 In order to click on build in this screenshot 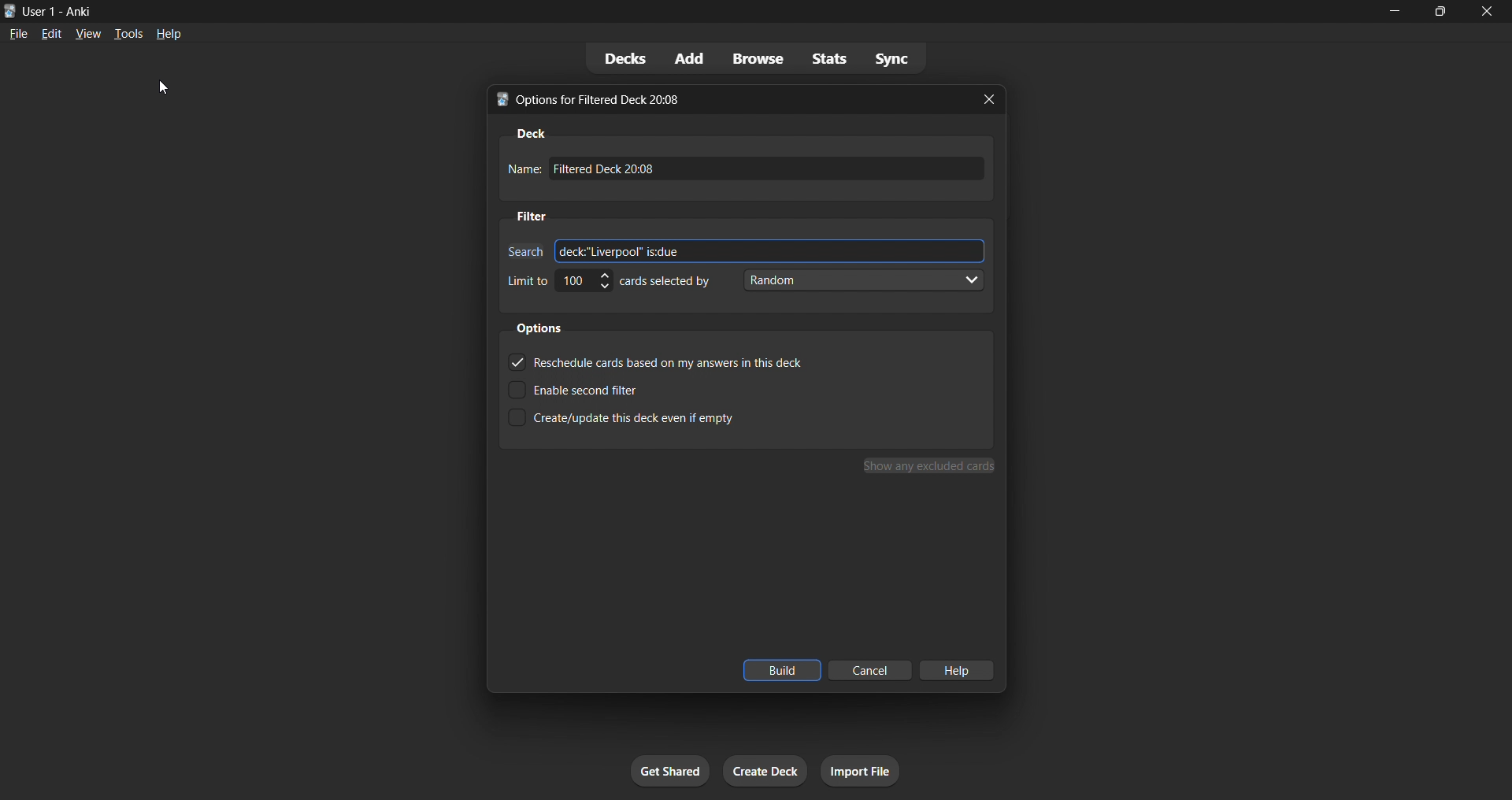, I will do `click(783, 672)`.